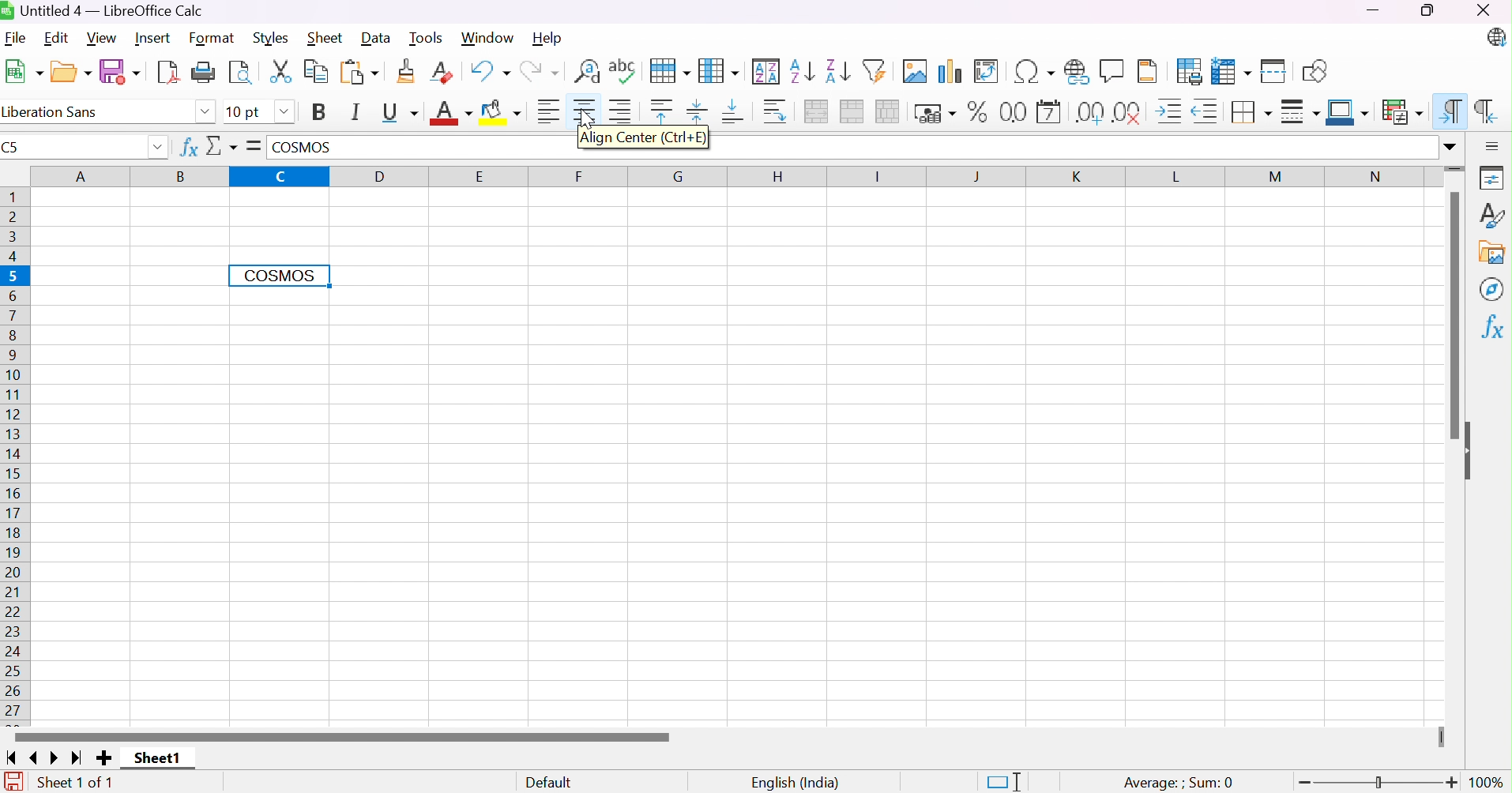 The image size is (1512, 793). I want to click on Border Color, so click(1348, 111).